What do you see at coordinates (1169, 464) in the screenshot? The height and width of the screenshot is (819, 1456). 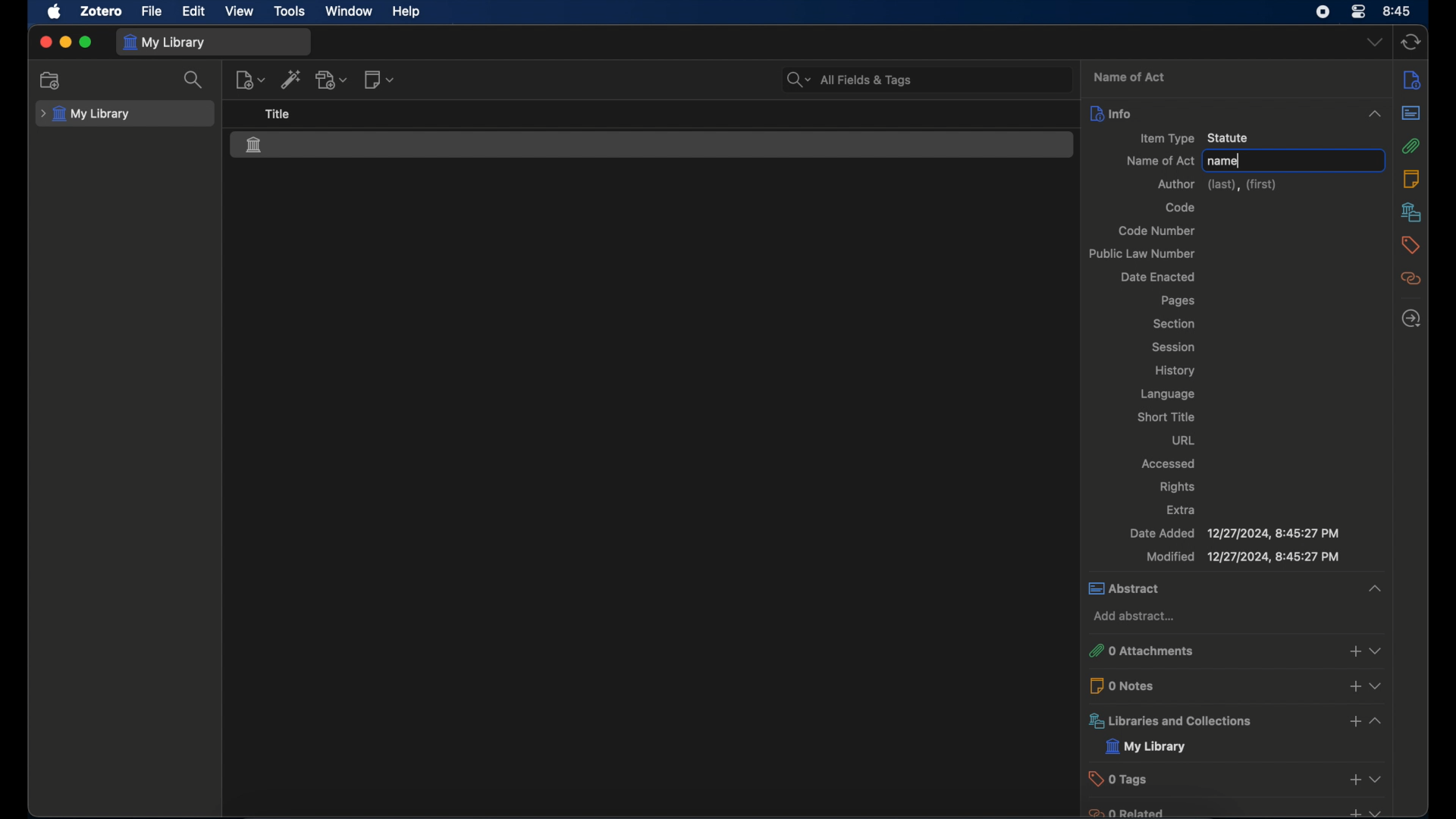 I see `accessed` at bounding box center [1169, 464].